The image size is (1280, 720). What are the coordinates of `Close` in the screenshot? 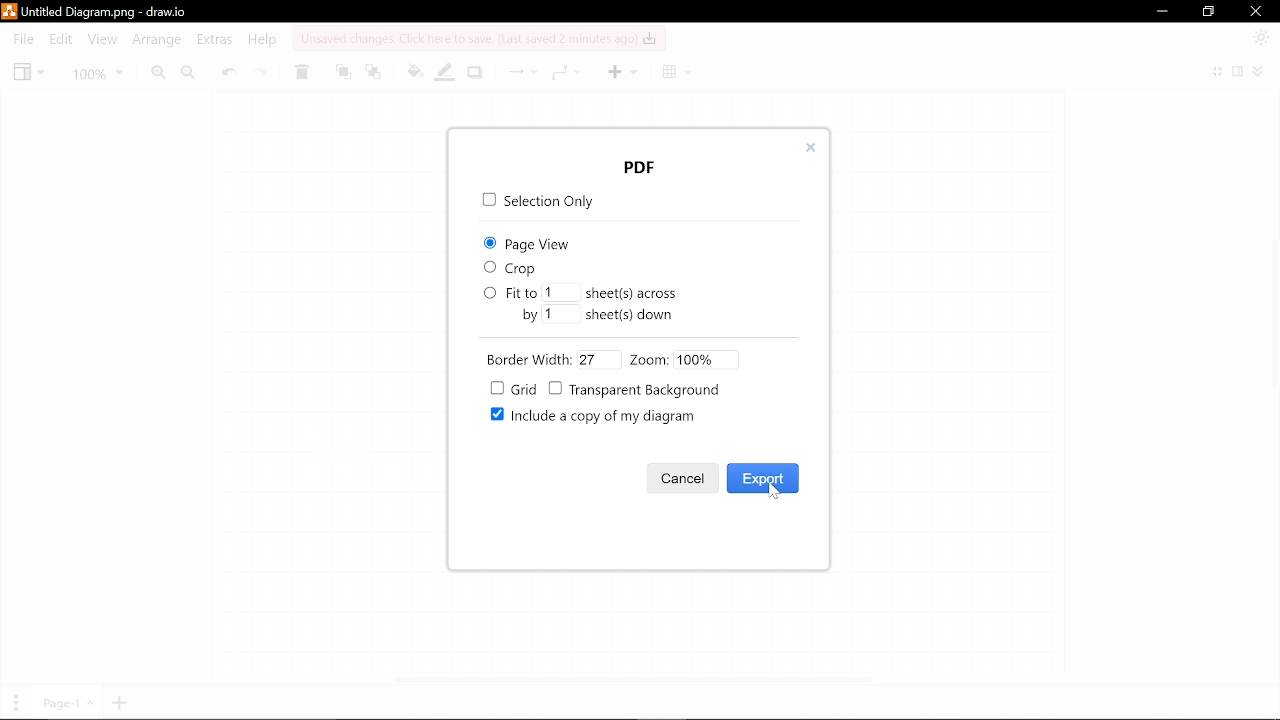 It's located at (1257, 12).